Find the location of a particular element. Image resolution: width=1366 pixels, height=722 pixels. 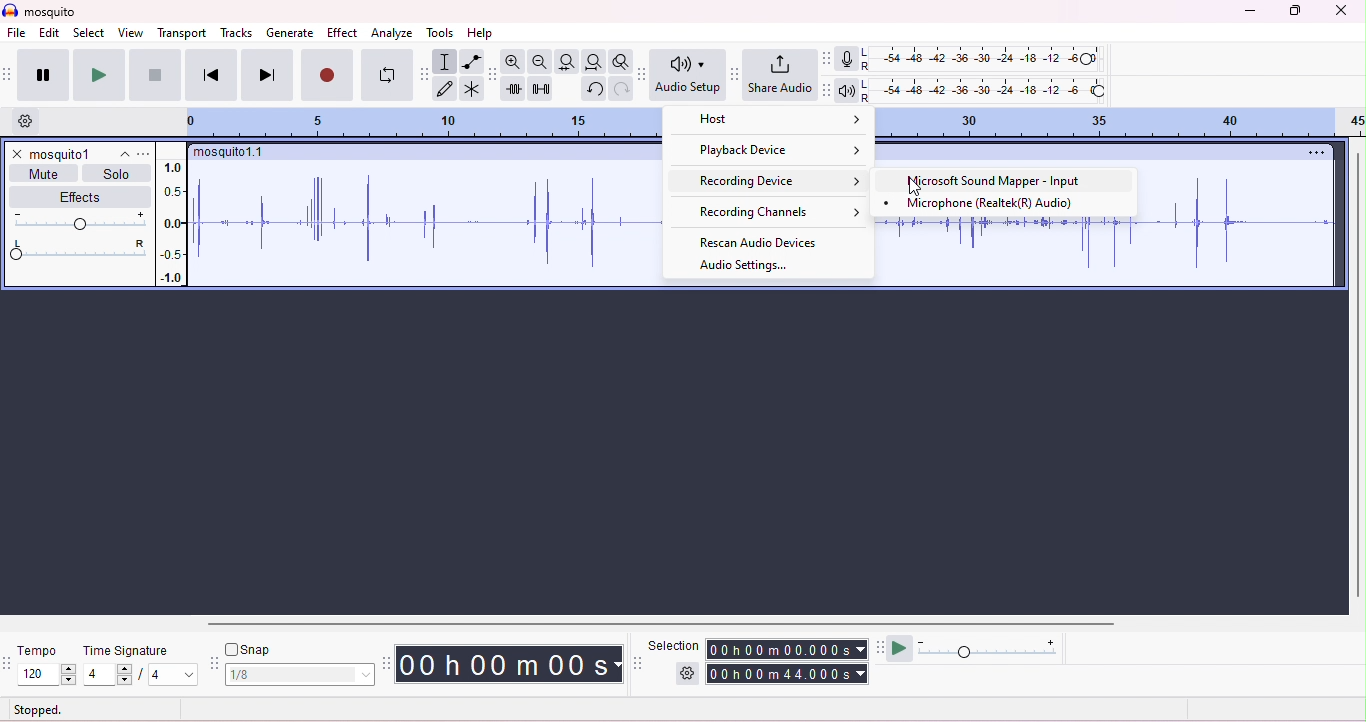

select tempo is located at coordinates (48, 675).